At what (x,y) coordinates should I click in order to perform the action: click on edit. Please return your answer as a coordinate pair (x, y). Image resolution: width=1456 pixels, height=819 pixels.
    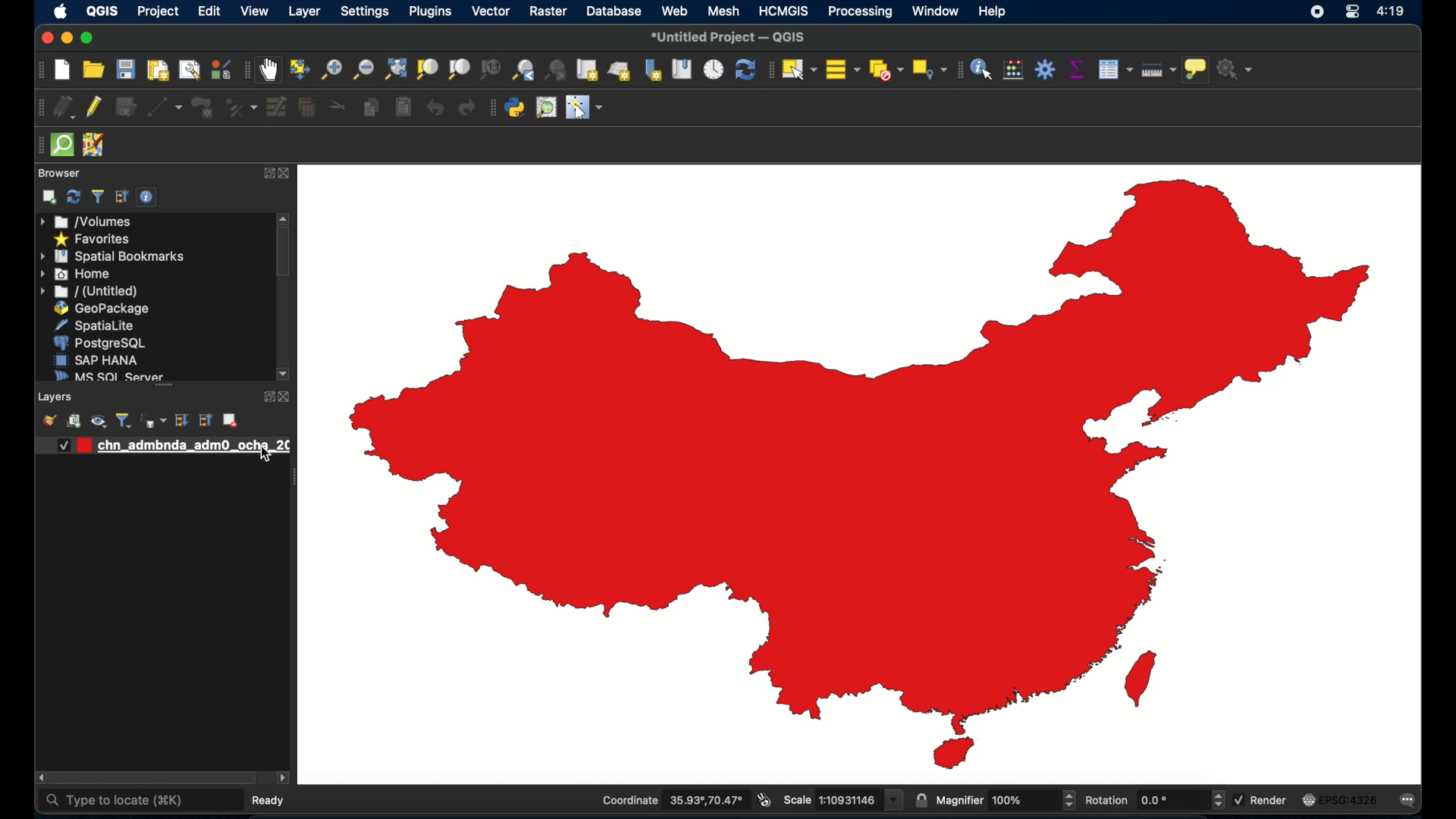
    Looking at the image, I should click on (210, 11).